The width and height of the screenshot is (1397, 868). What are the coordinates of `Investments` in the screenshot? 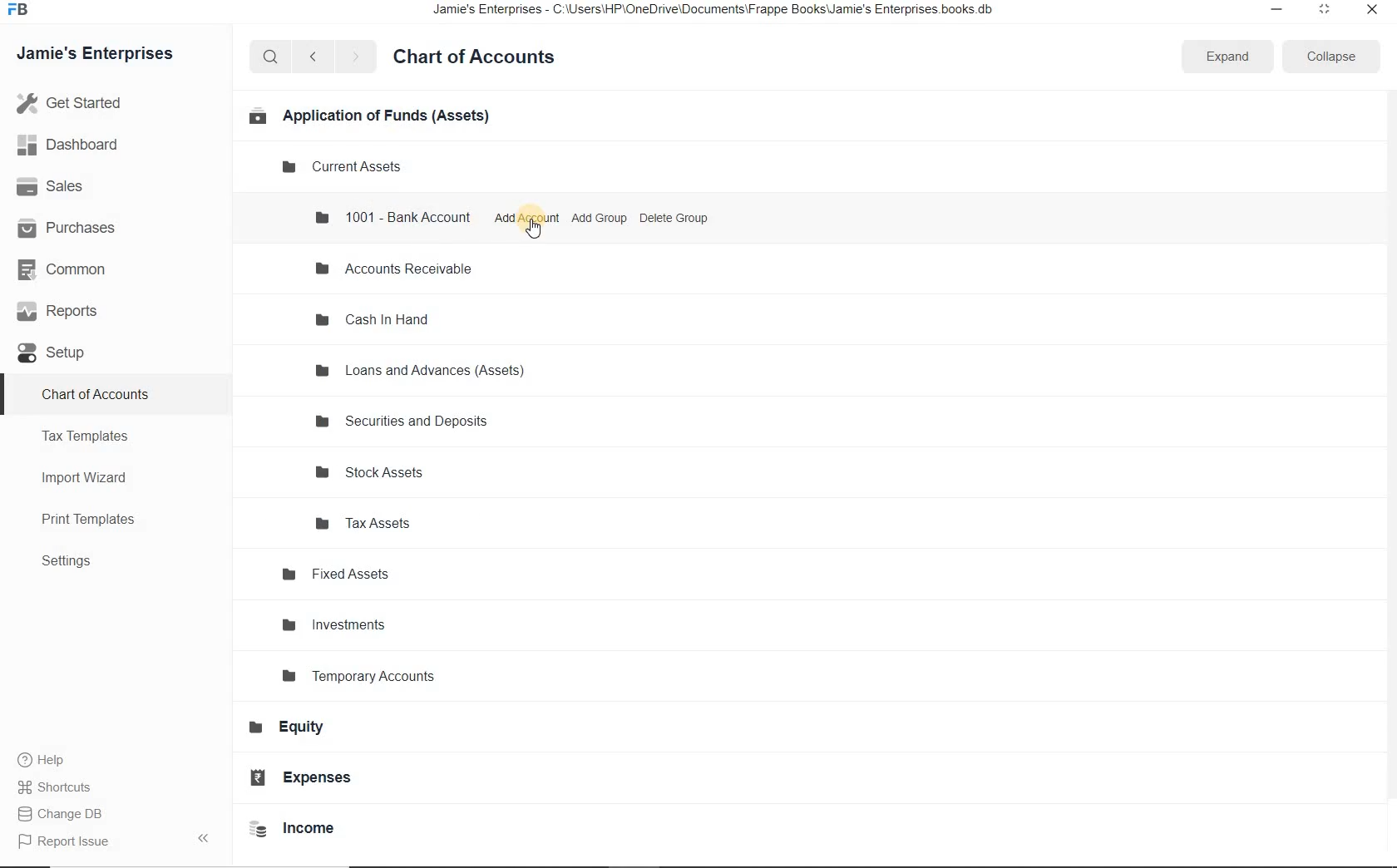 It's located at (344, 624).